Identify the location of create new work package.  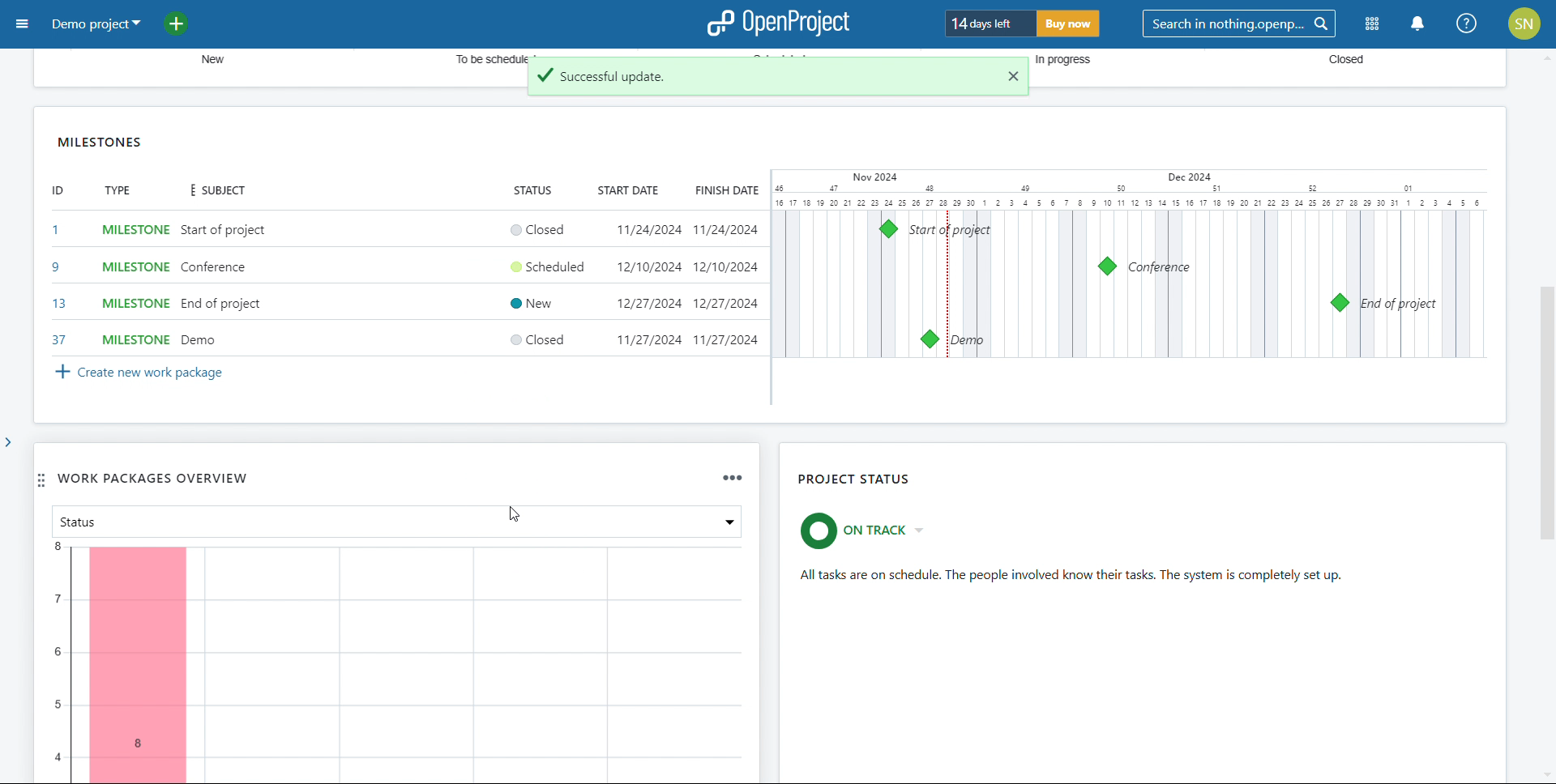
(136, 372).